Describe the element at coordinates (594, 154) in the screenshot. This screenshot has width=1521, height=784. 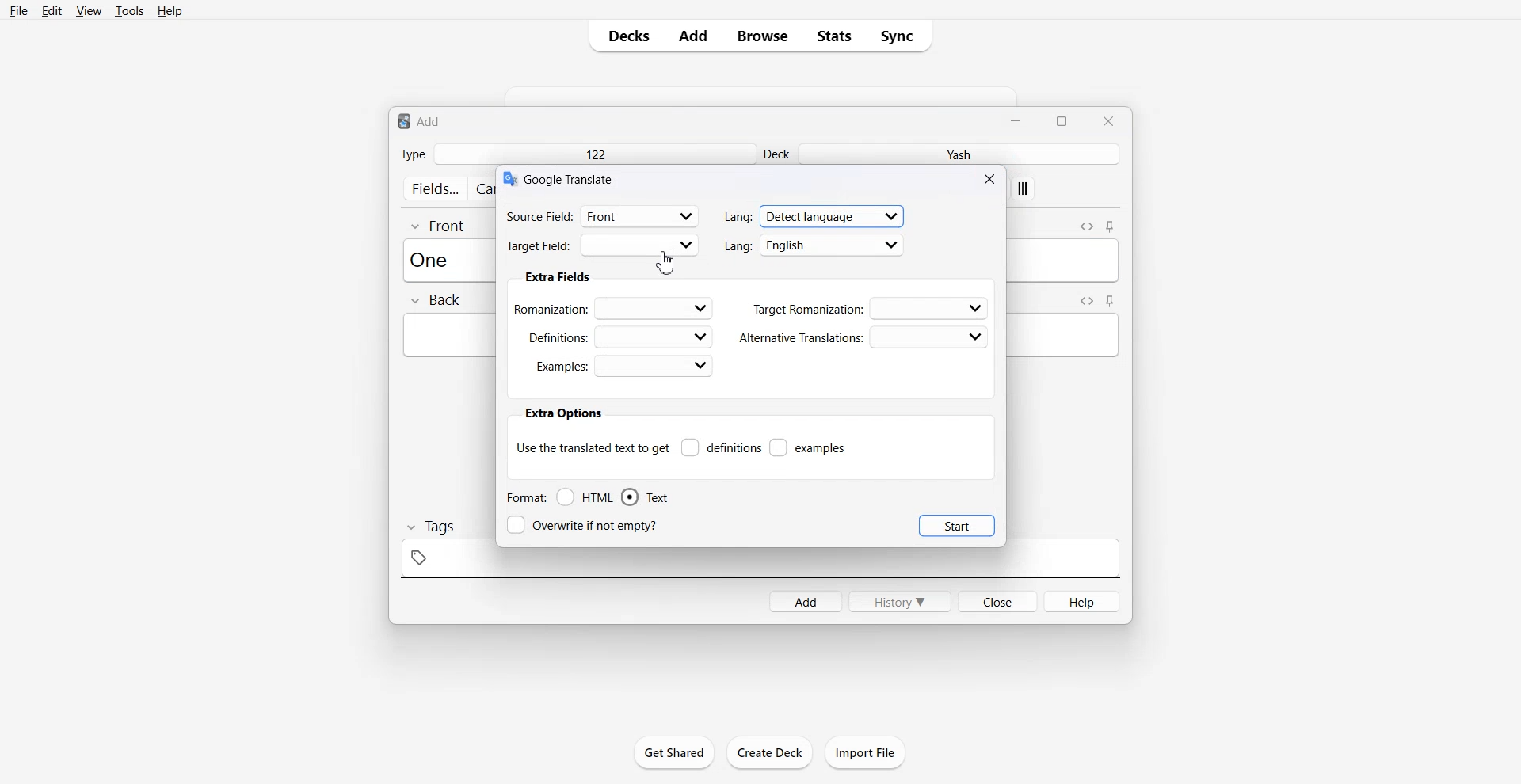
I see `122` at that location.